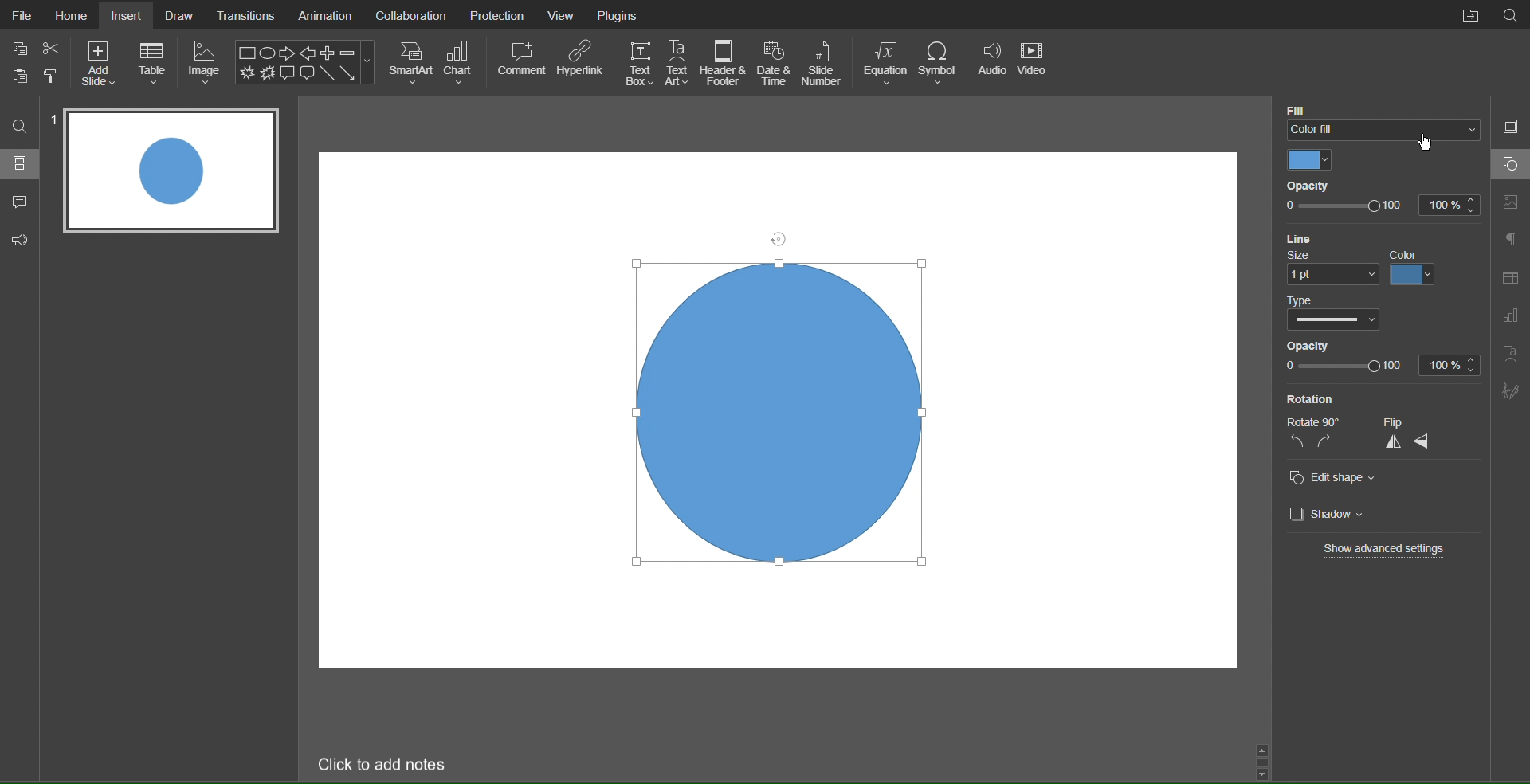 The height and width of the screenshot is (784, 1530). Describe the element at coordinates (724, 61) in the screenshot. I see `Header & Footer` at that location.